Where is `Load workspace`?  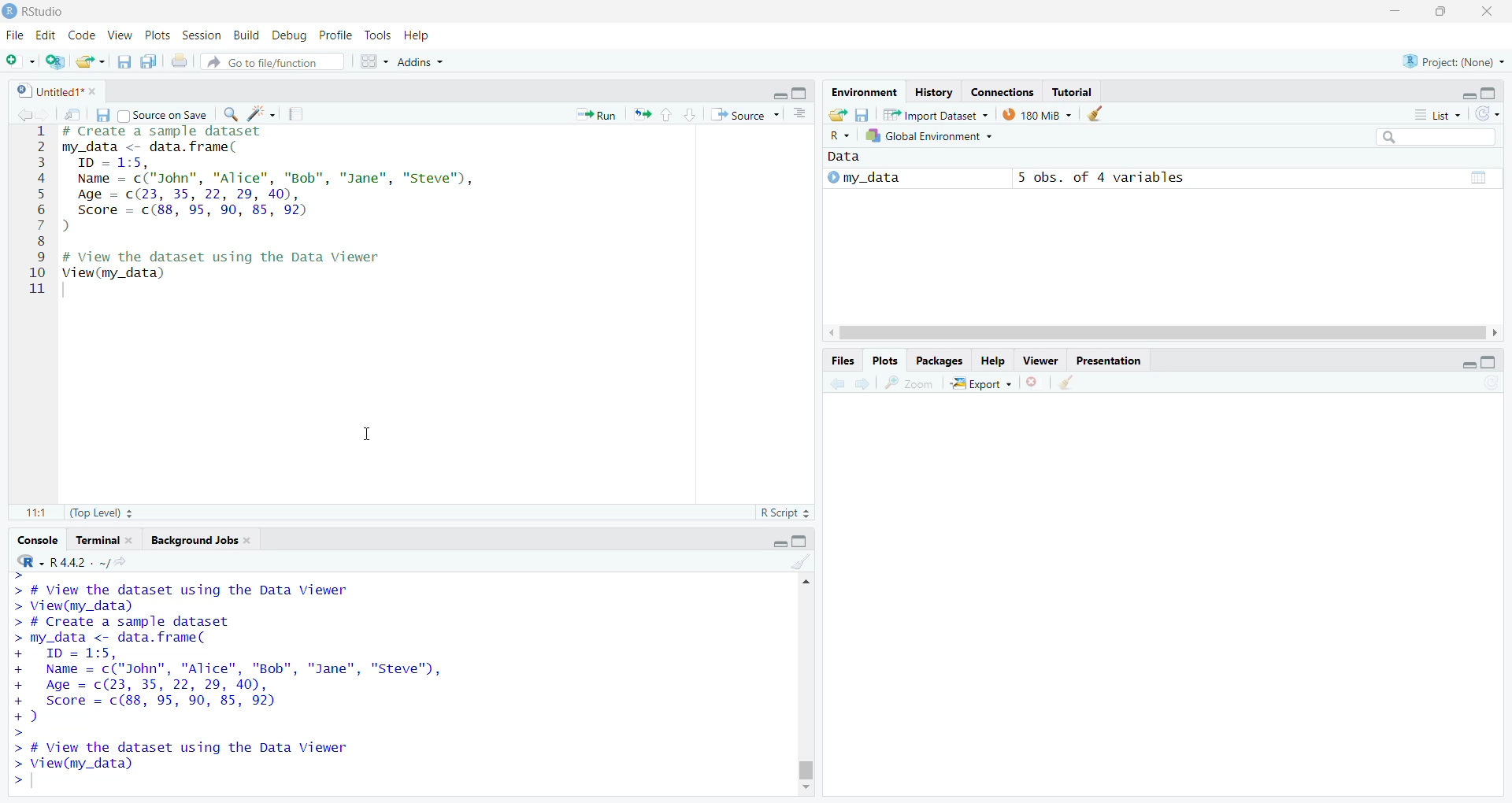 Load workspace is located at coordinates (840, 116).